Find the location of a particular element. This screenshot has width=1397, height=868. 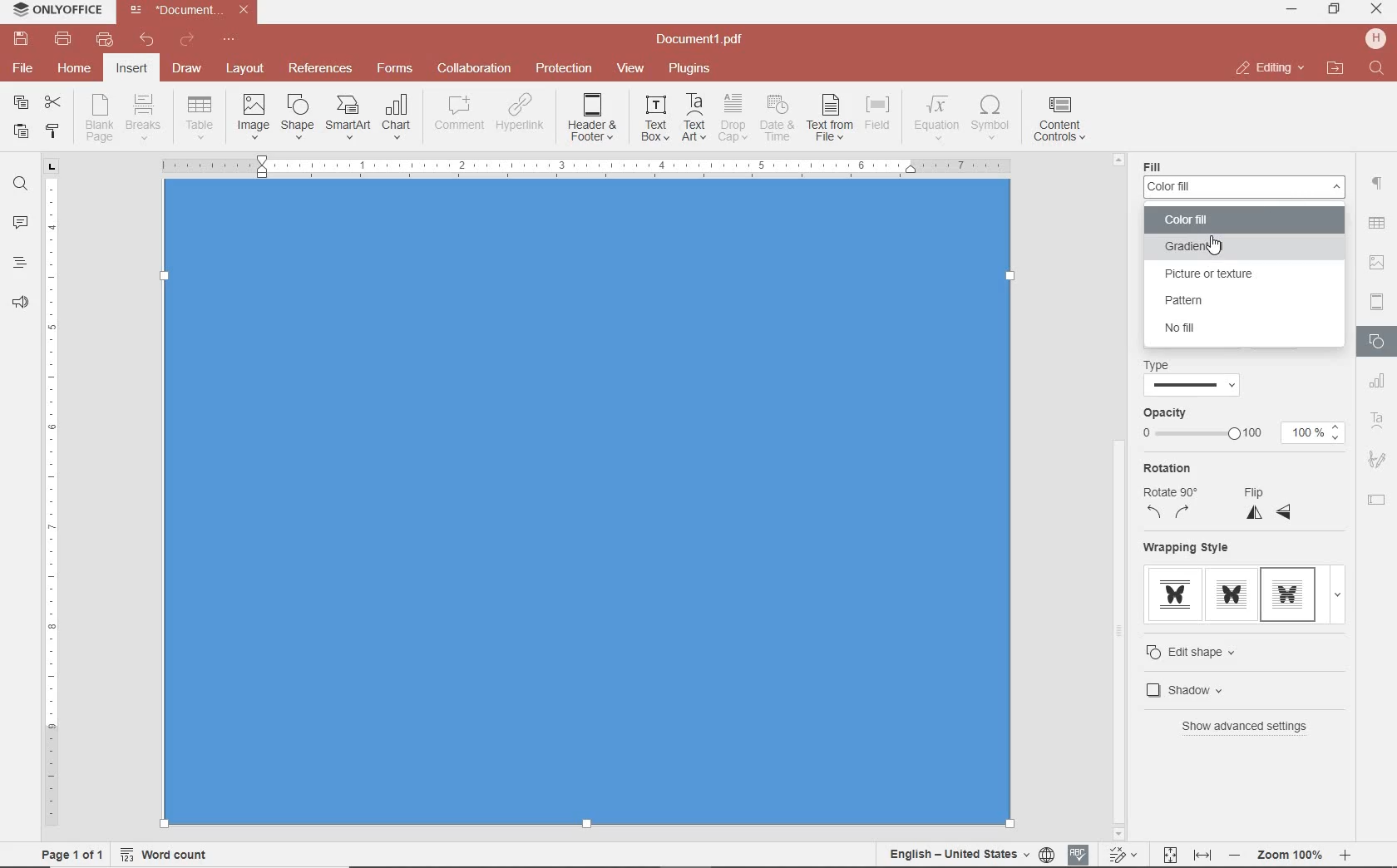

ROTATION is located at coordinates (1171, 494).